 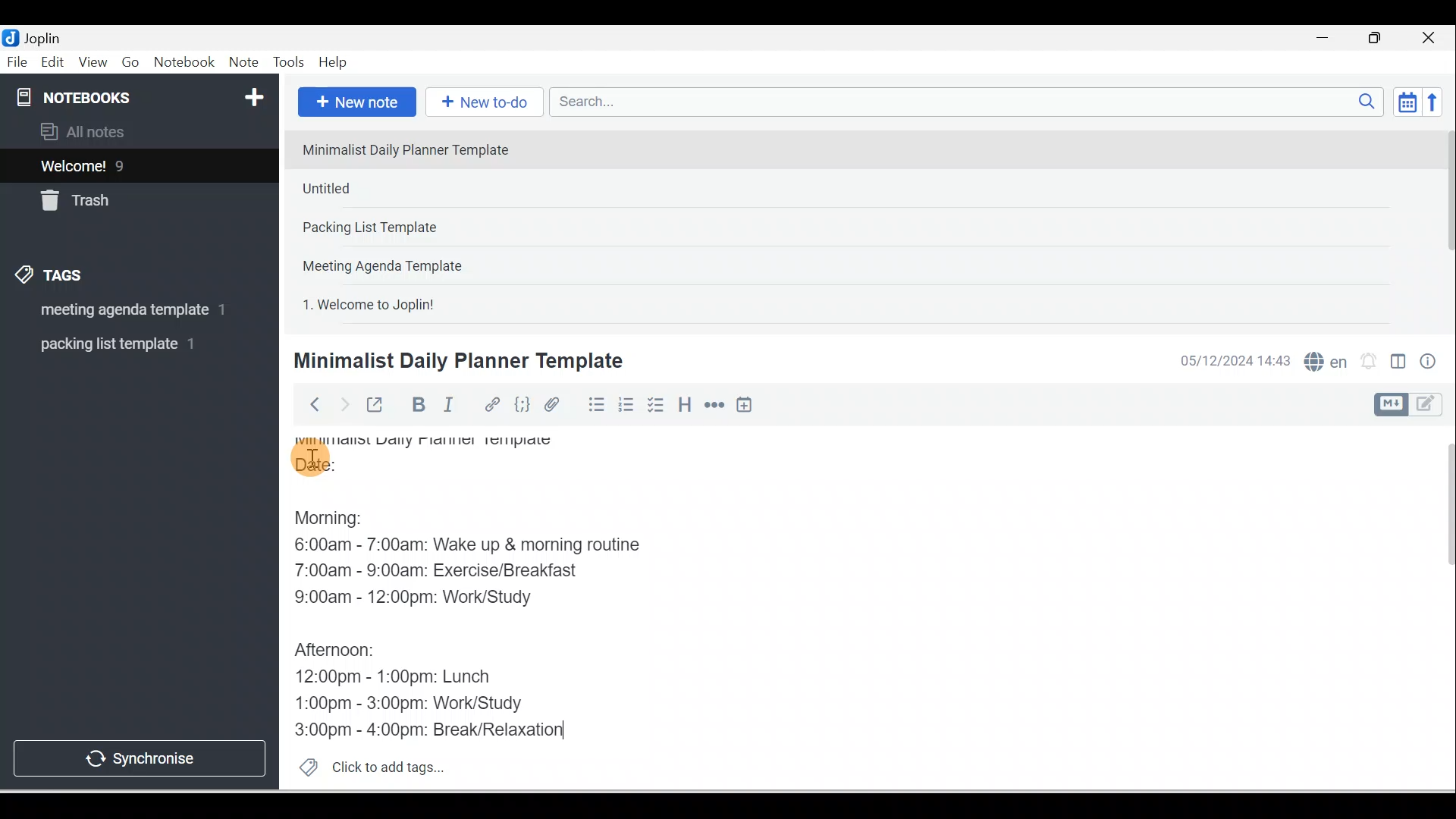 I want to click on Close, so click(x=1432, y=38).